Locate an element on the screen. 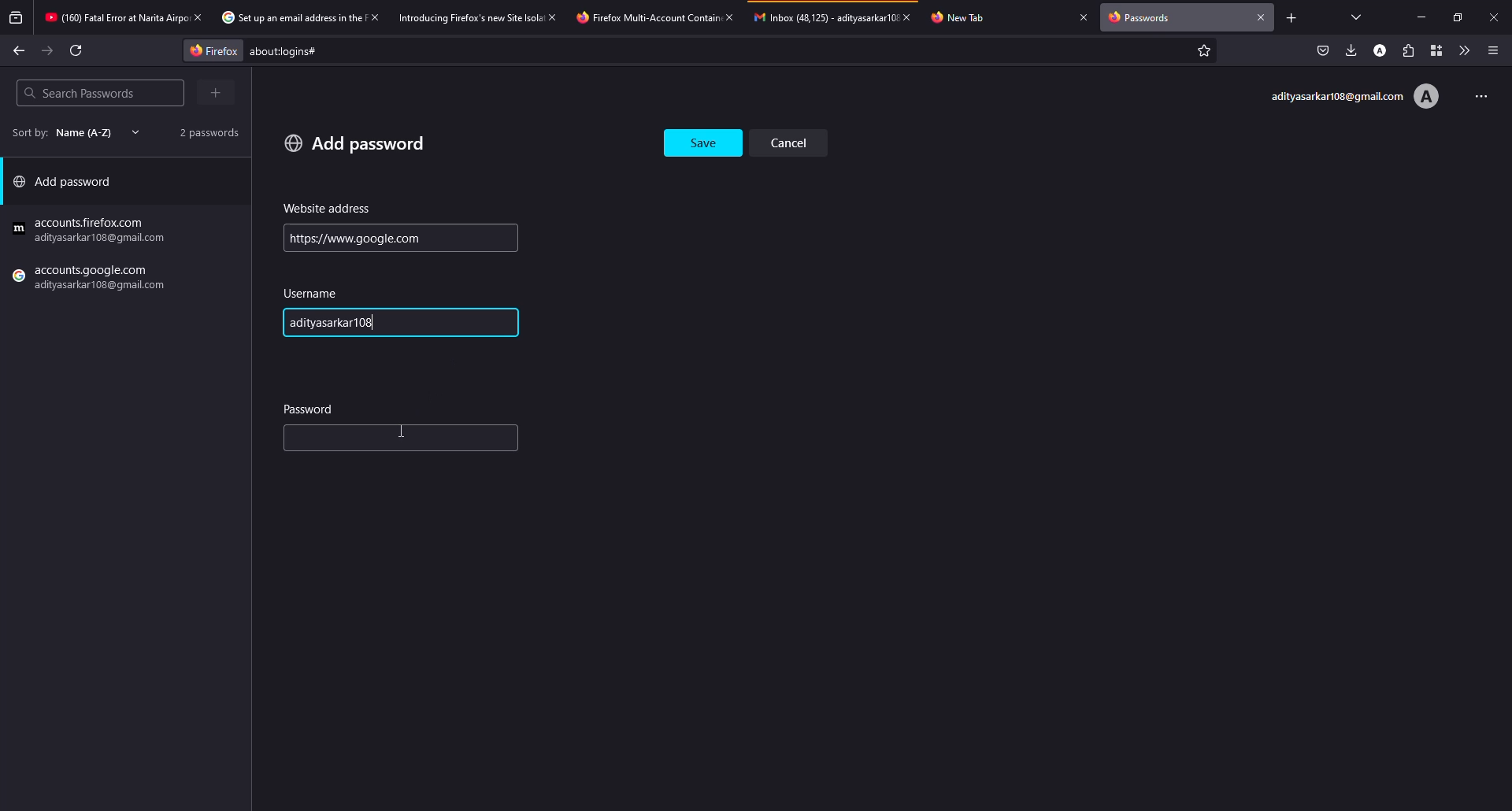 The height and width of the screenshot is (811, 1512). google is located at coordinates (92, 231).